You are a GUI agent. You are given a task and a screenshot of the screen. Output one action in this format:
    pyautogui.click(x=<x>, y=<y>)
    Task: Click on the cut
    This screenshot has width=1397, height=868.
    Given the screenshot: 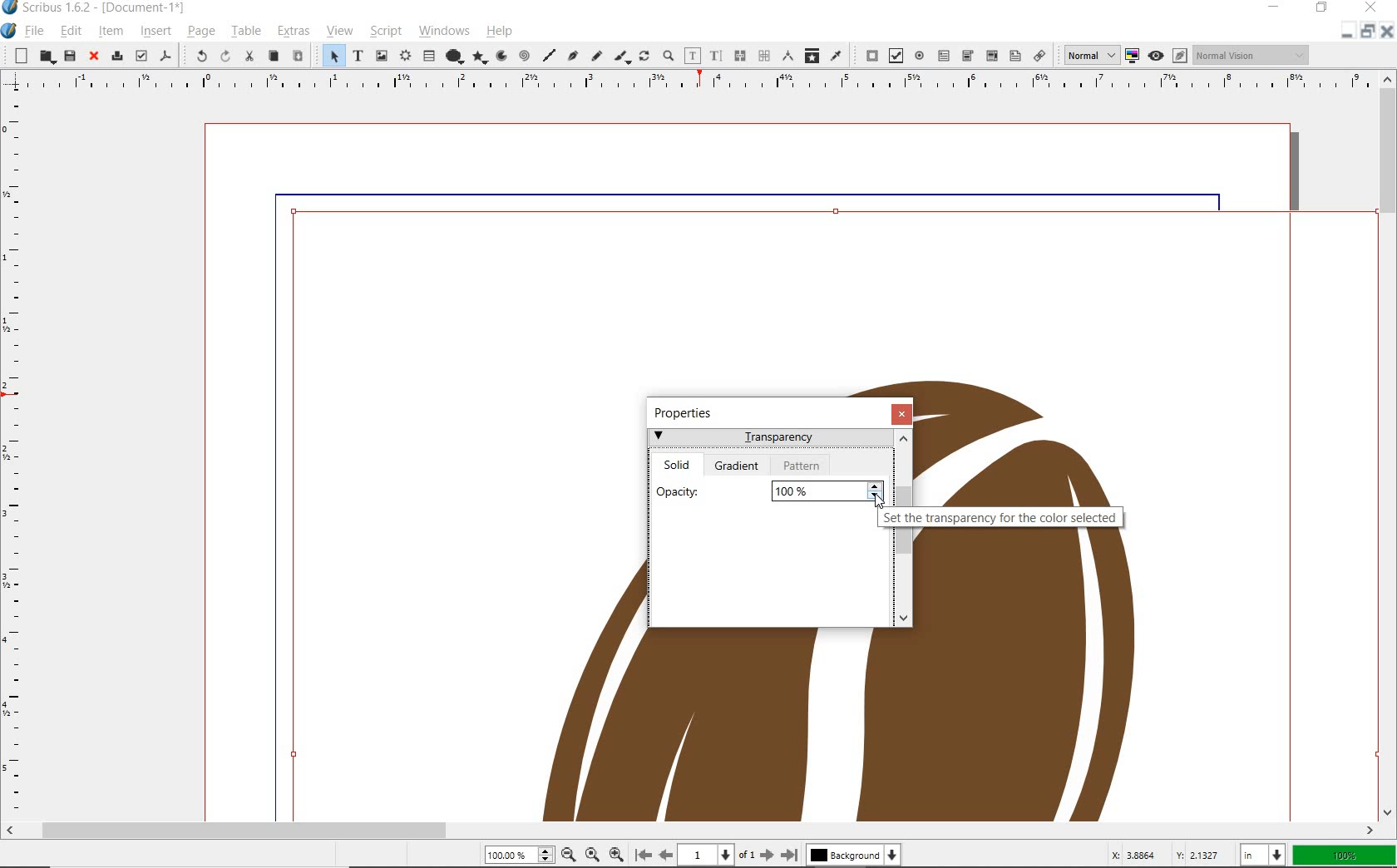 What is the action you would take?
    pyautogui.click(x=251, y=57)
    